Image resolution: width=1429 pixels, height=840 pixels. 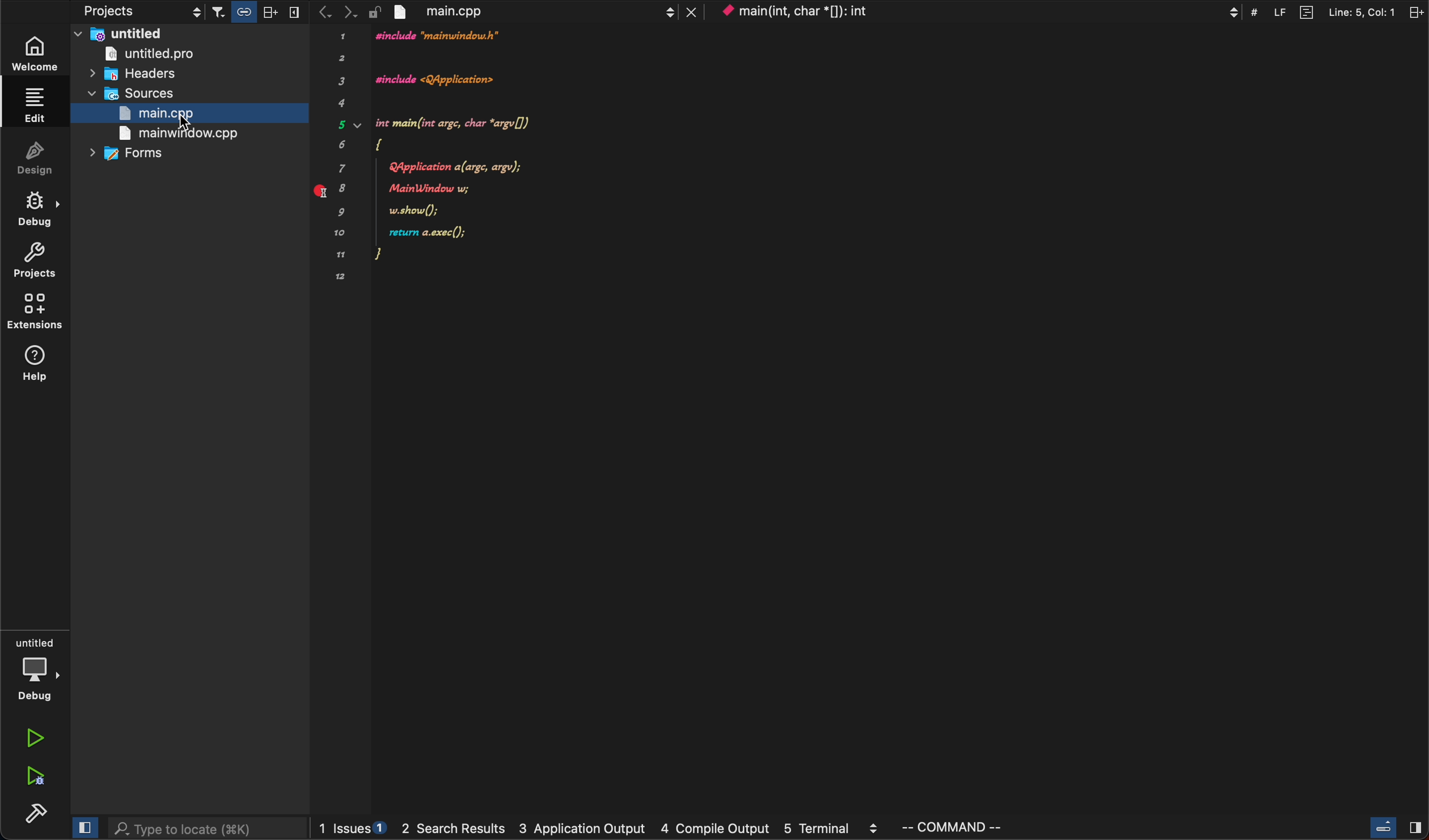 What do you see at coordinates (536, 12) in the screenshot?
I see `file tab` at bounding box center [536, 12].